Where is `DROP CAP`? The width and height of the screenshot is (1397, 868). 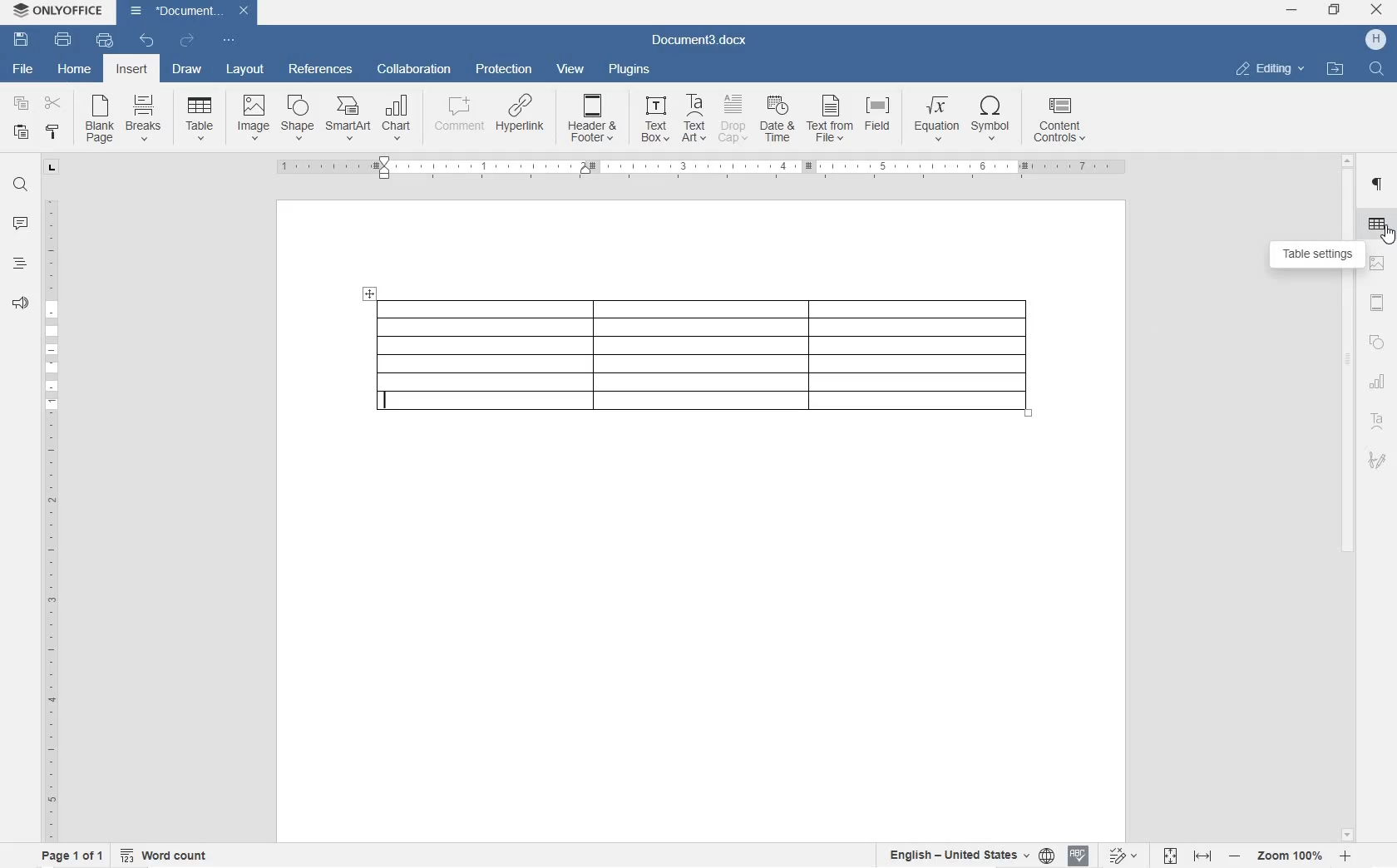
DROP CAP is located at coordinates (734, 119).